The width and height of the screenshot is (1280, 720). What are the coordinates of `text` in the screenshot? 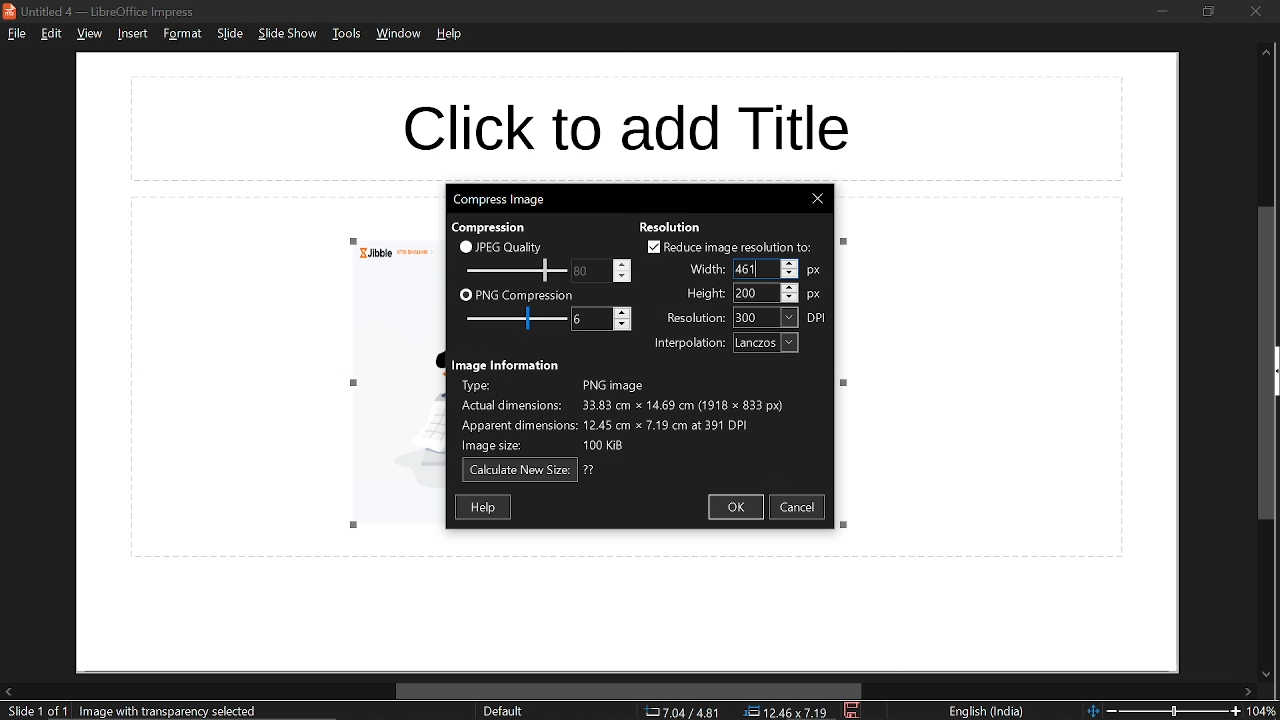 It's located at (695, 317).